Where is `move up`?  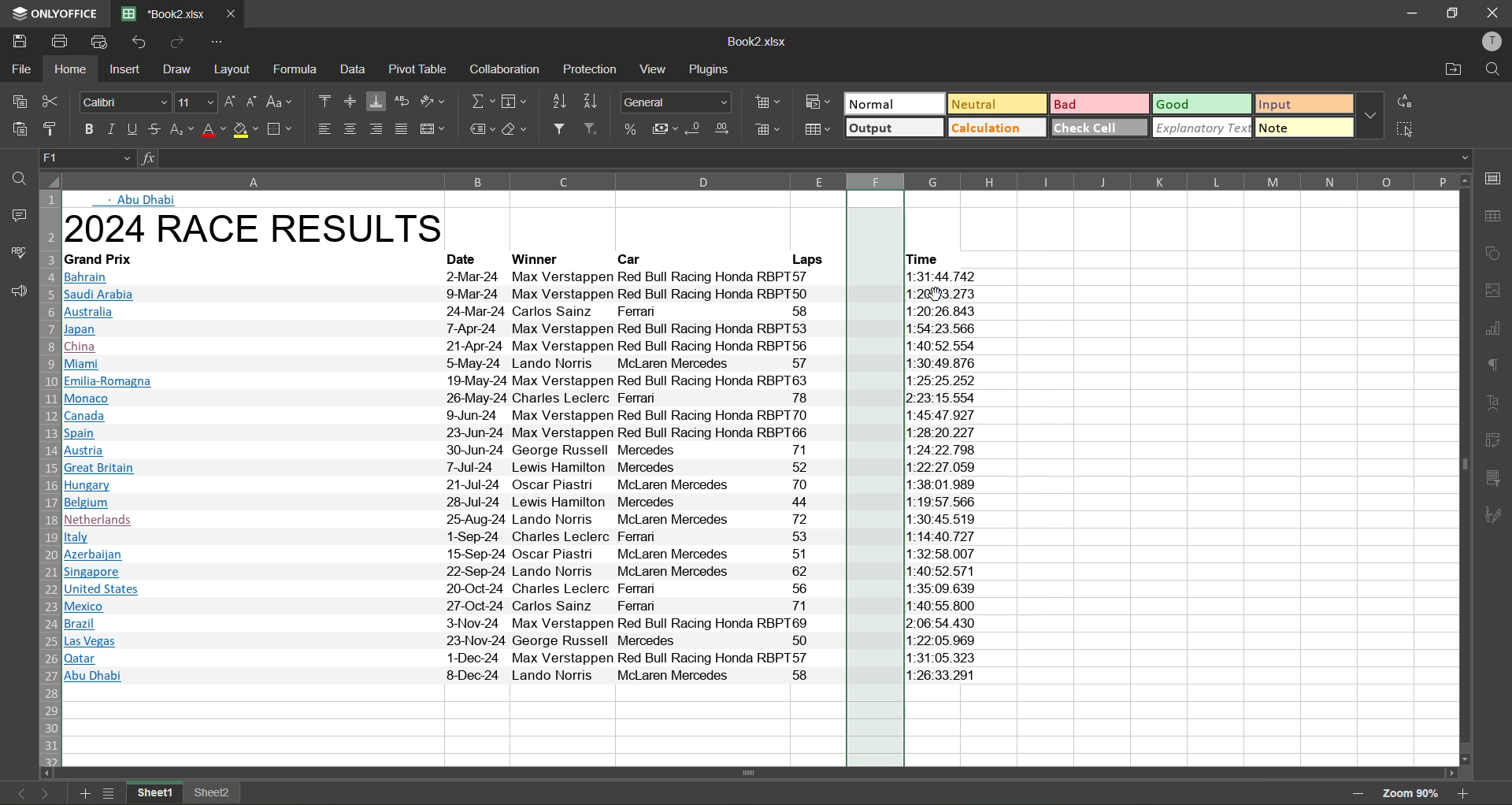 move up is located at coordinates (1466, 180).